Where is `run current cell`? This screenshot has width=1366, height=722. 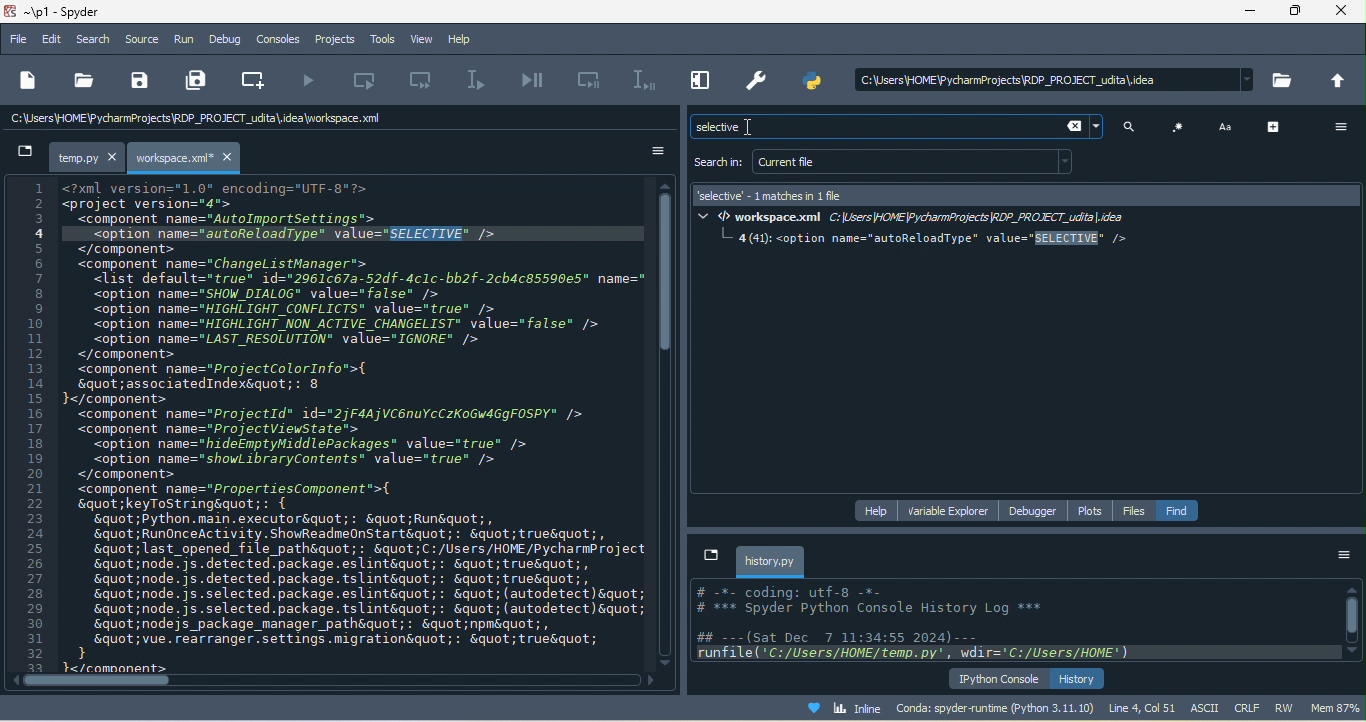 run current cell is located at coordinates (374, 80).